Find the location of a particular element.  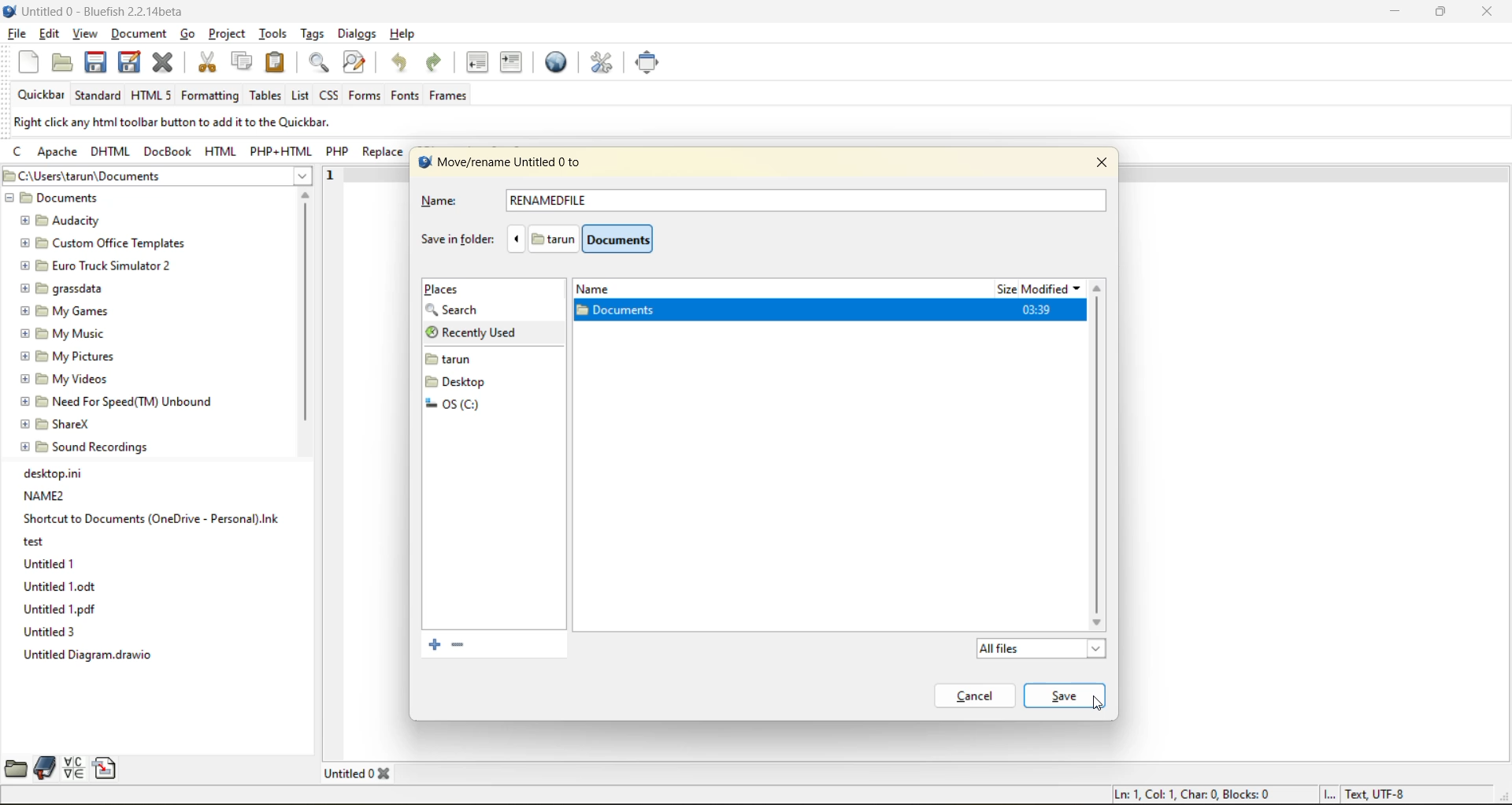

quickbar is located at coordinates (45, 95).